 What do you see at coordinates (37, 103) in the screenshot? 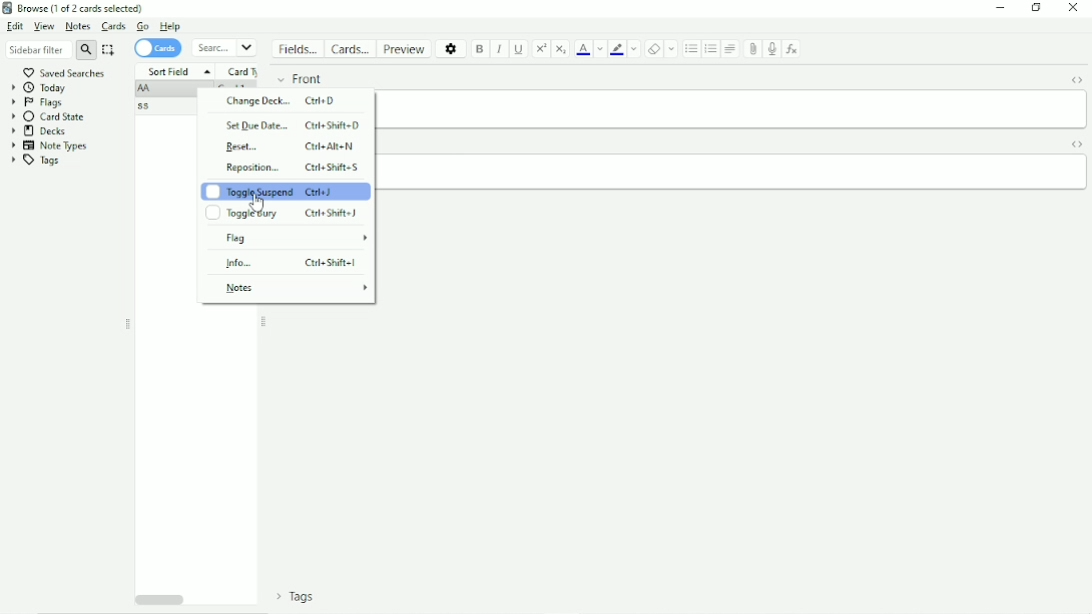
I see `Flags` at bounding box center [37, 103].